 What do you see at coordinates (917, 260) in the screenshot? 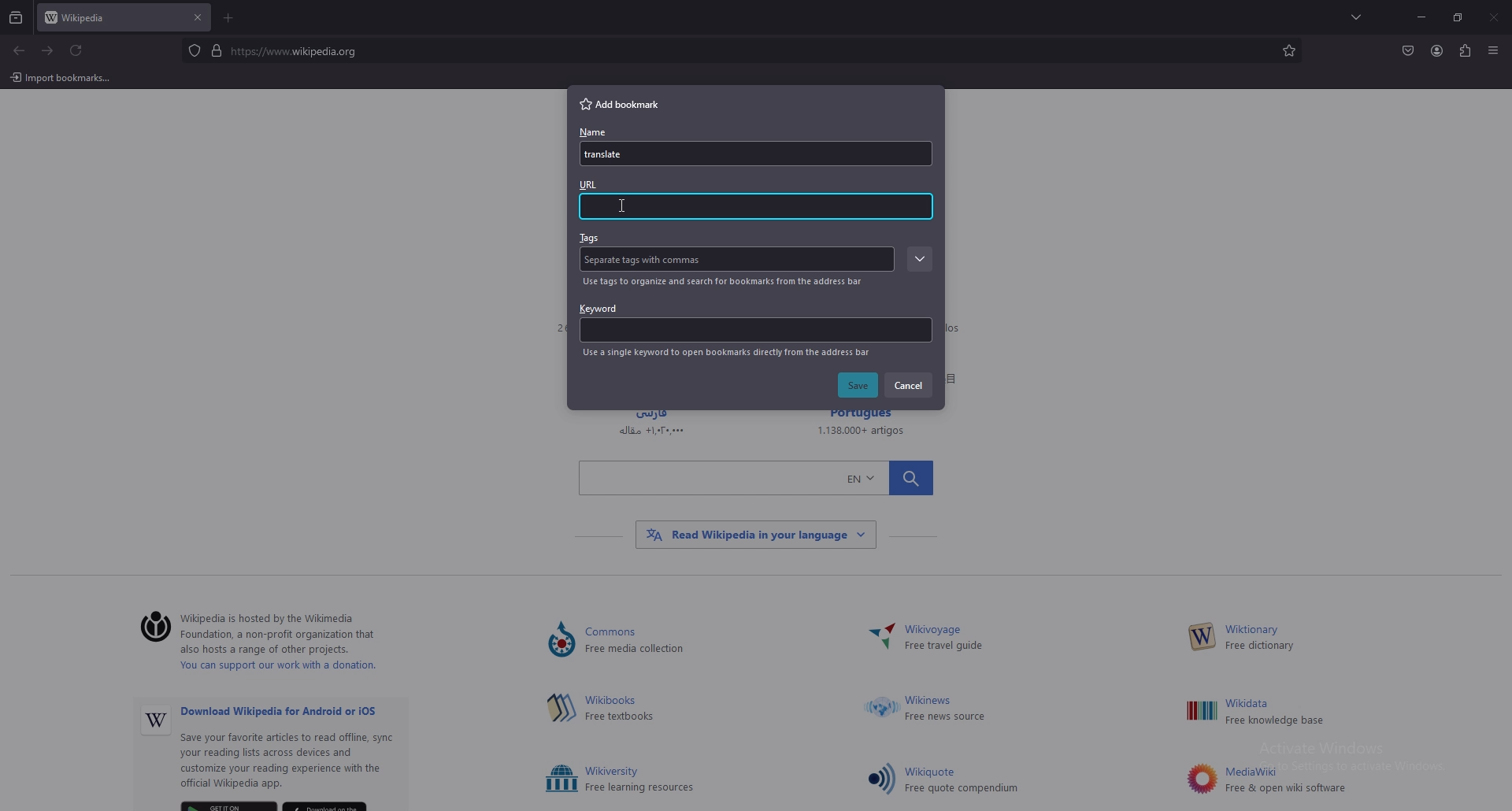
I see `expand` at bounding box center [917, 260].